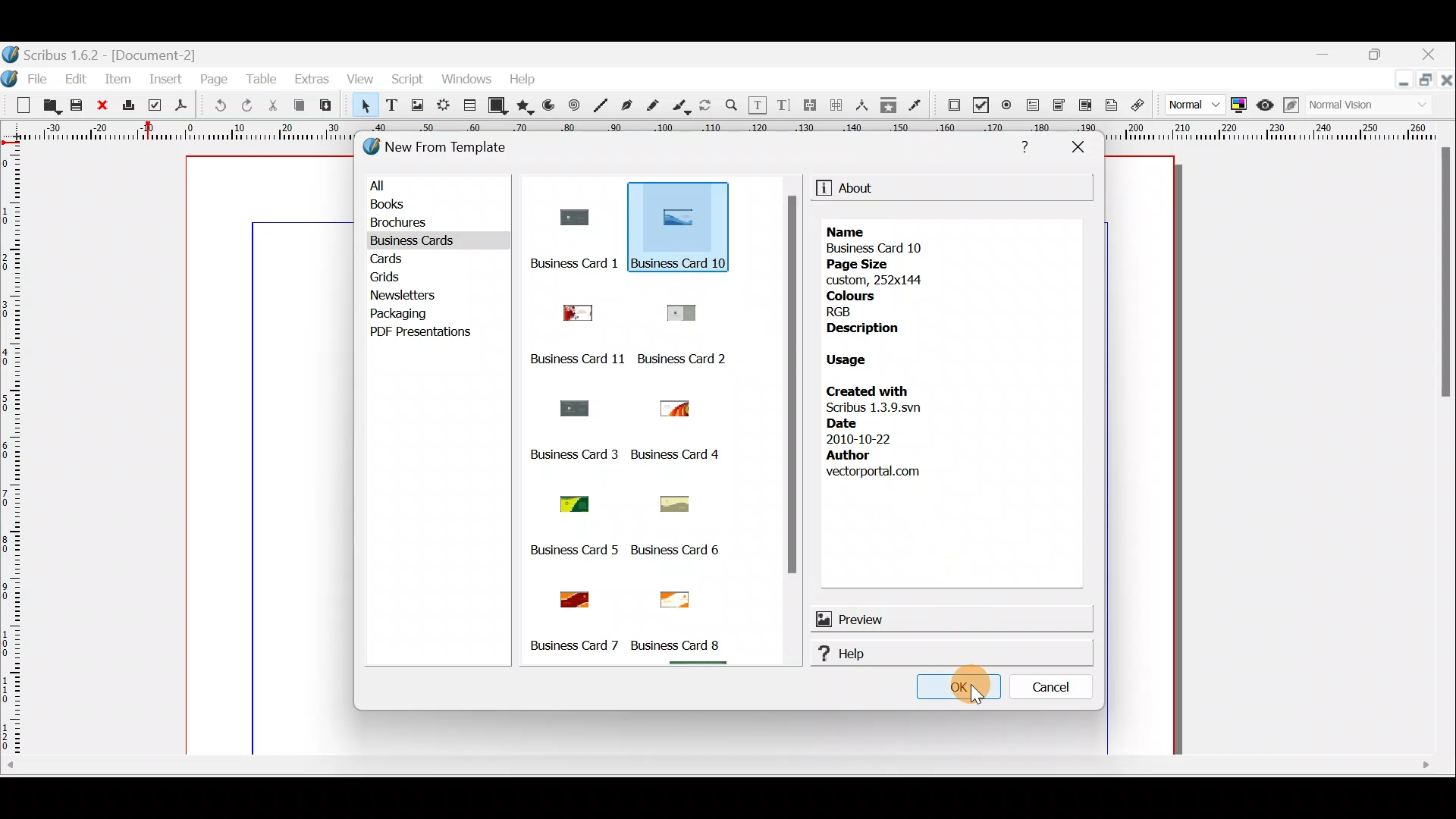 The image size is (1456, 819). What do you see at coordinates (961, 655) in the screenshot?
I see `Help` at bounding box center [961, 655].